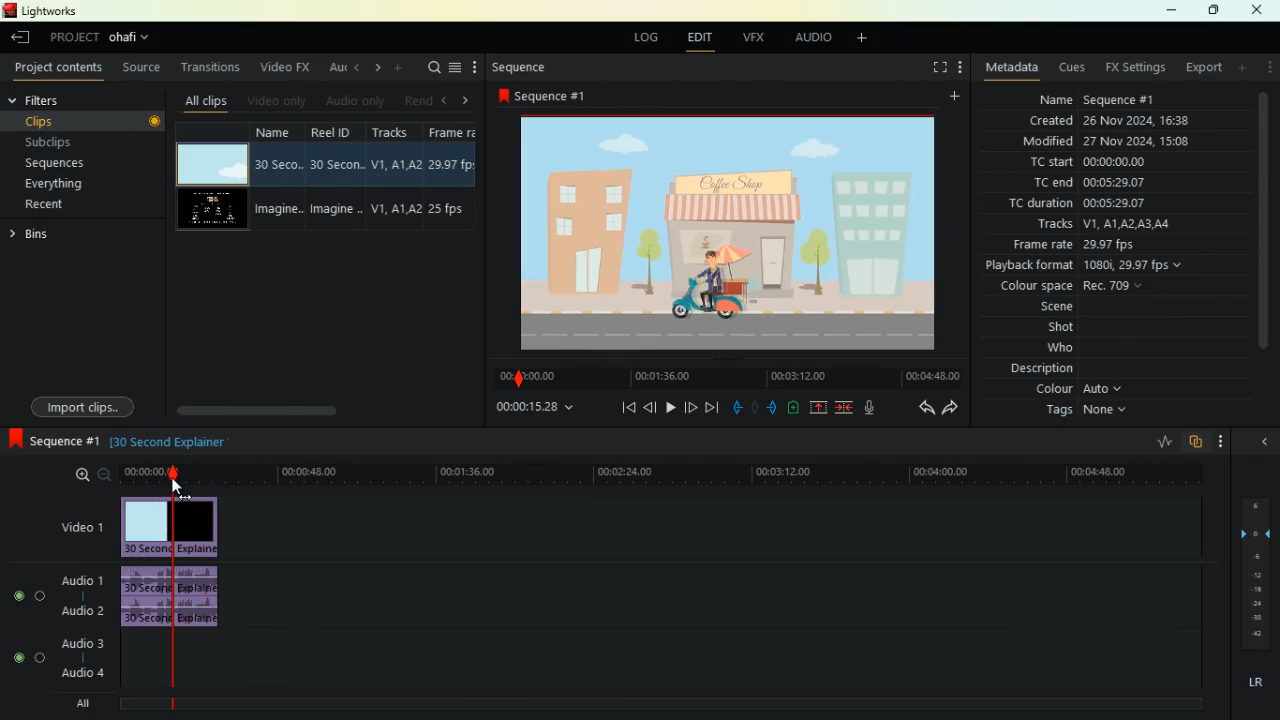 The height and width of the screenshot is (720, 1280). What do you see at coordinates (693, 407) in the screenshot?
I see `forward` at bounding box center [693, 407].